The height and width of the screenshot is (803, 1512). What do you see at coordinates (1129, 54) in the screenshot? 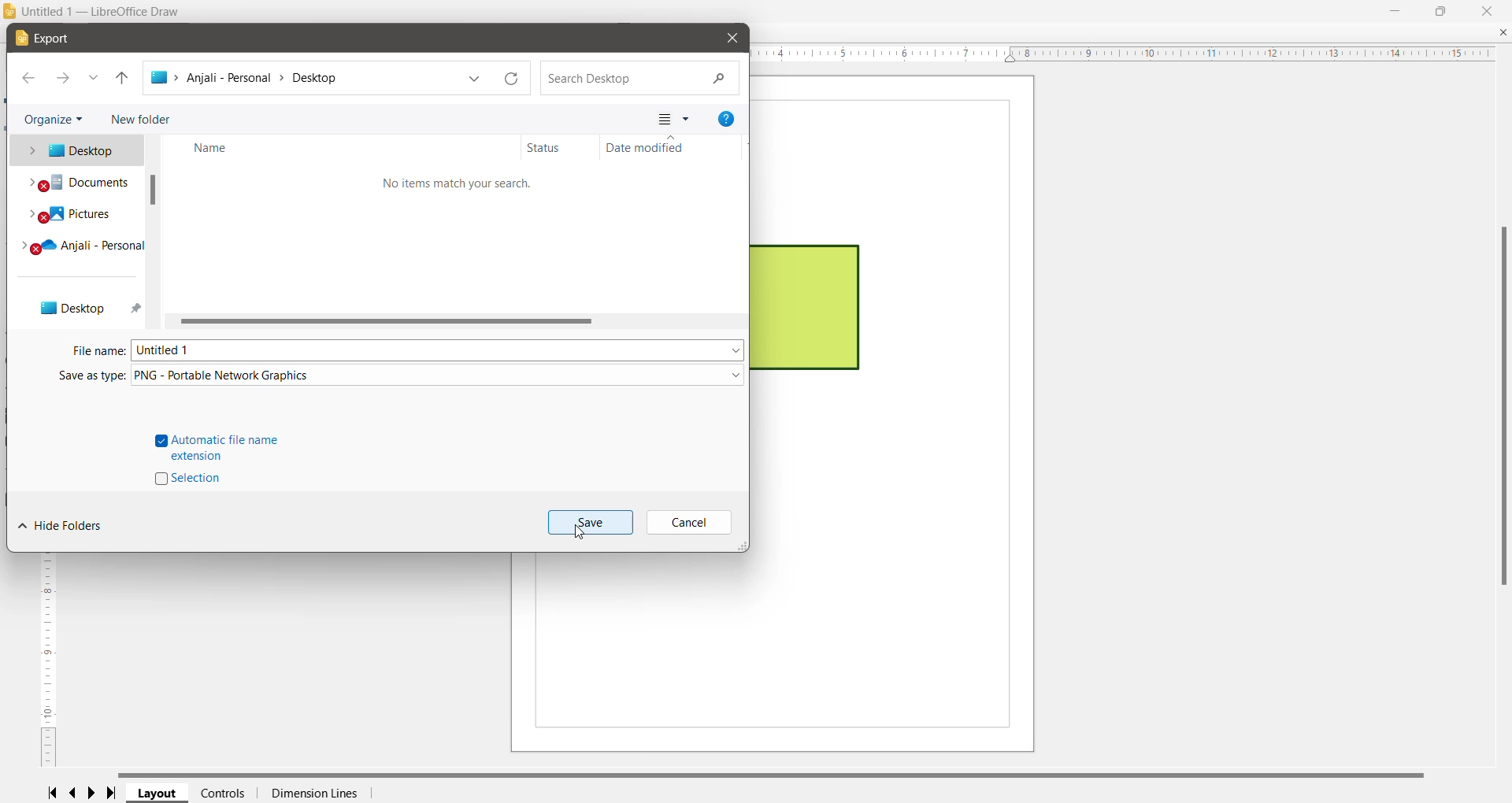
I see `horizontal ruler` at bounding box center [1129, 54].